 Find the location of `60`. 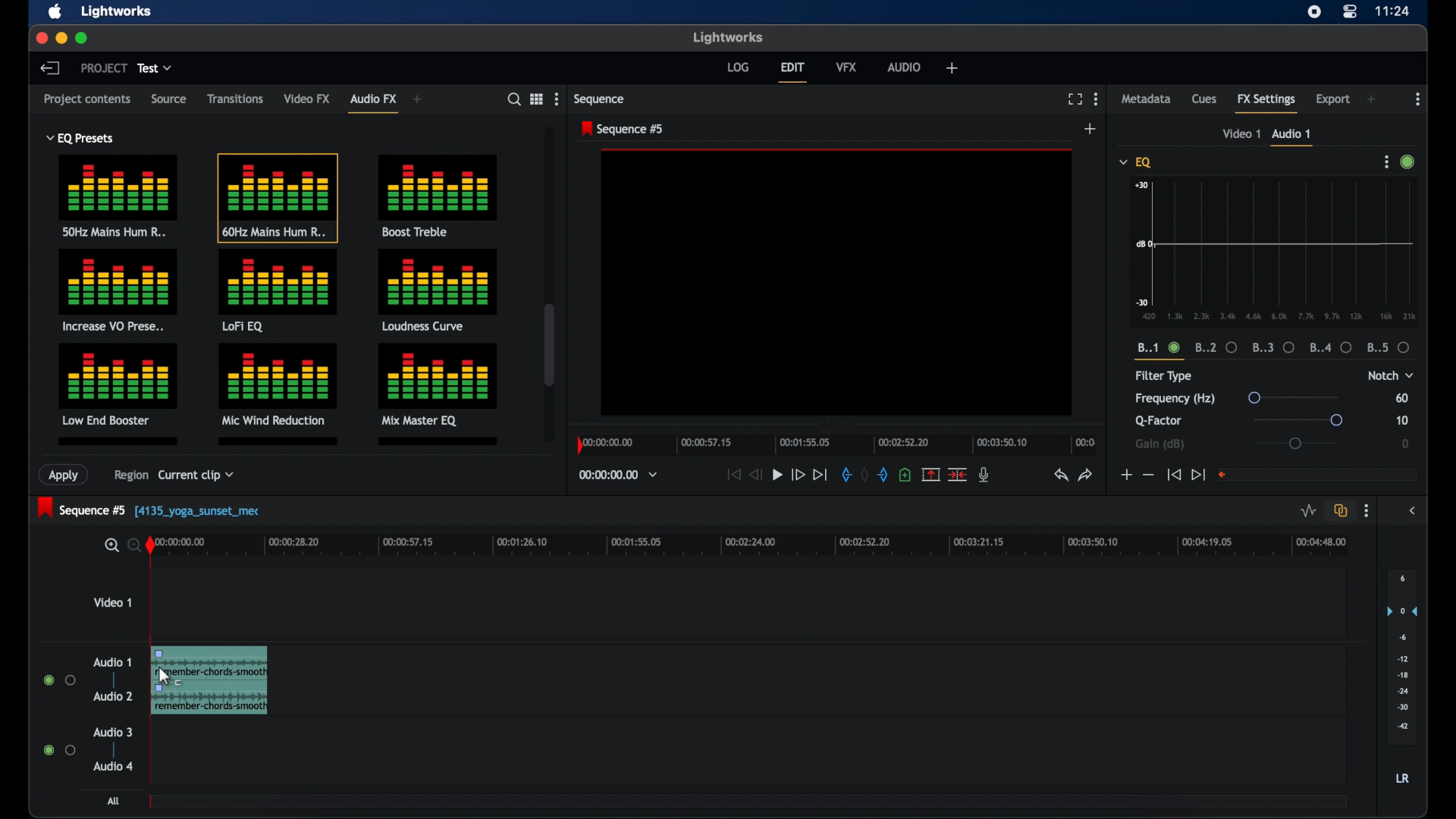

60 is located at coordinates (1403, 398).